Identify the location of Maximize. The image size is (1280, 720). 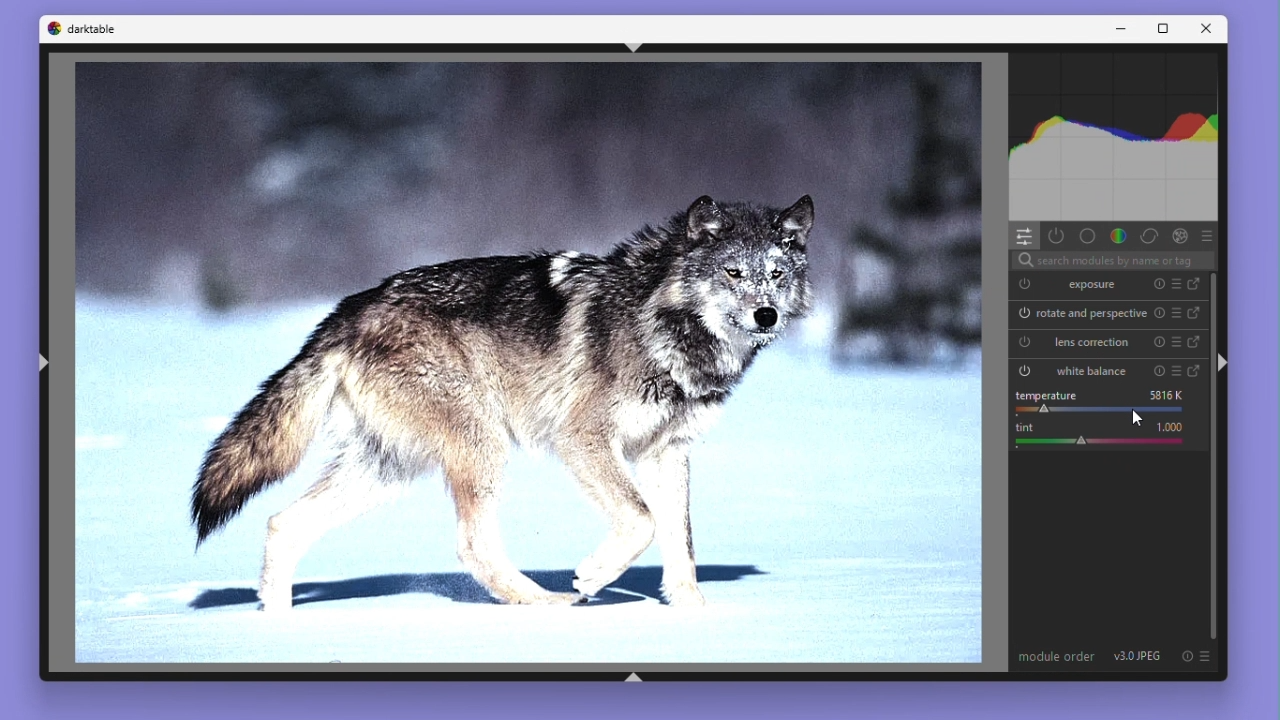
(1163, 28).